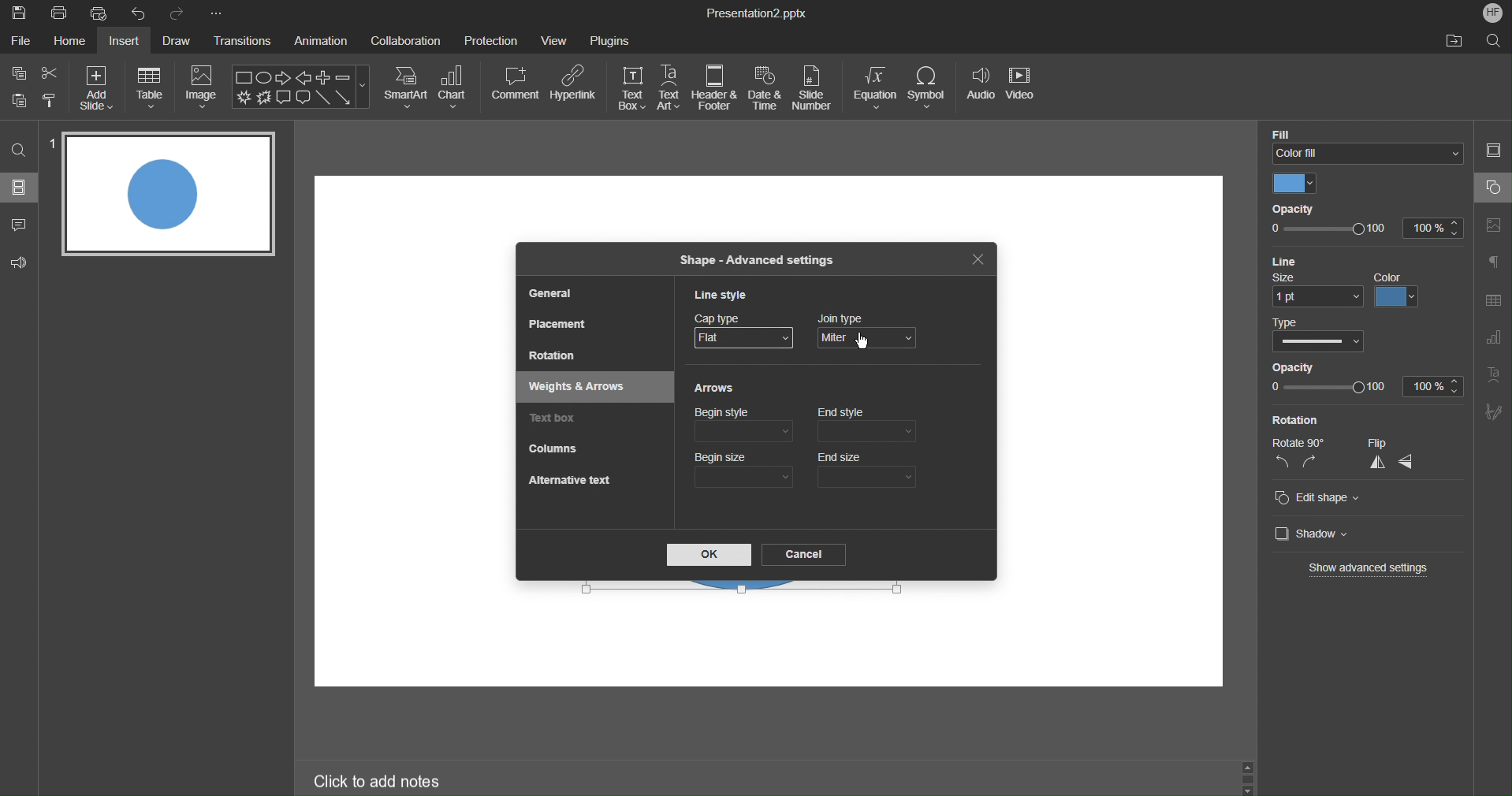  Describe the element at coordinates (1371, 569) in the screenshot. I see `Show advanced settings` at that location.